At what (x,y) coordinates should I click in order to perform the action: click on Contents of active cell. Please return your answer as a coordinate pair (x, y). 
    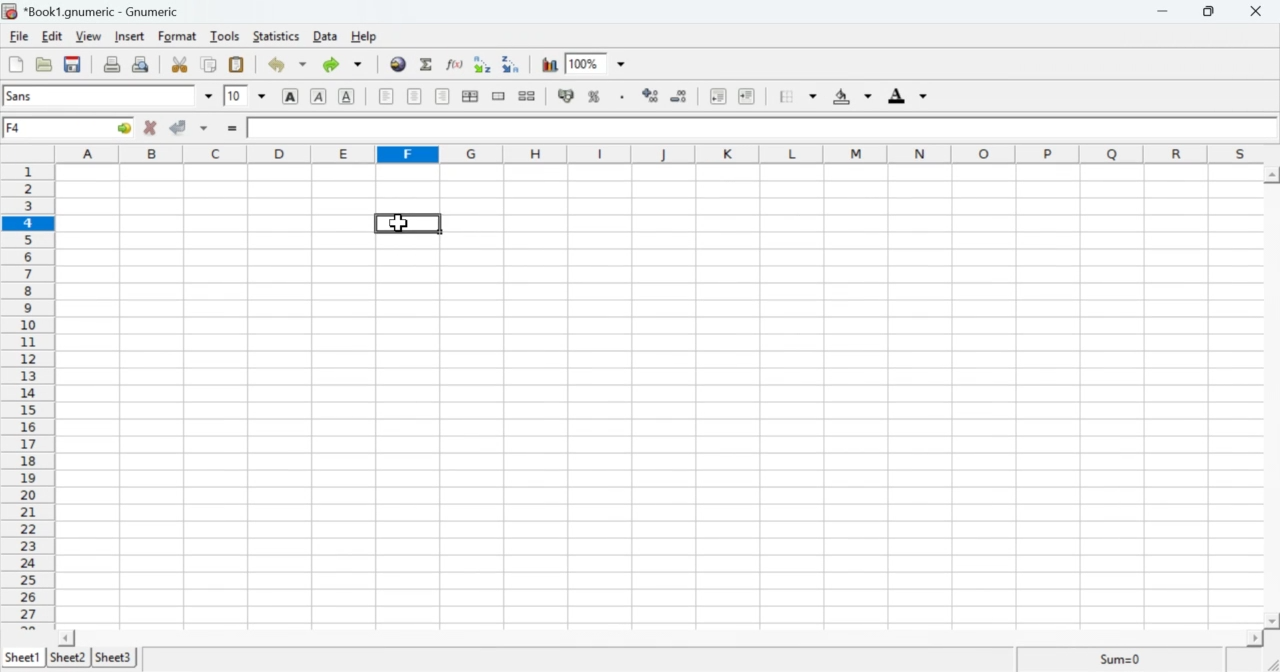
    Looking at the image, I should click on (754, 127).